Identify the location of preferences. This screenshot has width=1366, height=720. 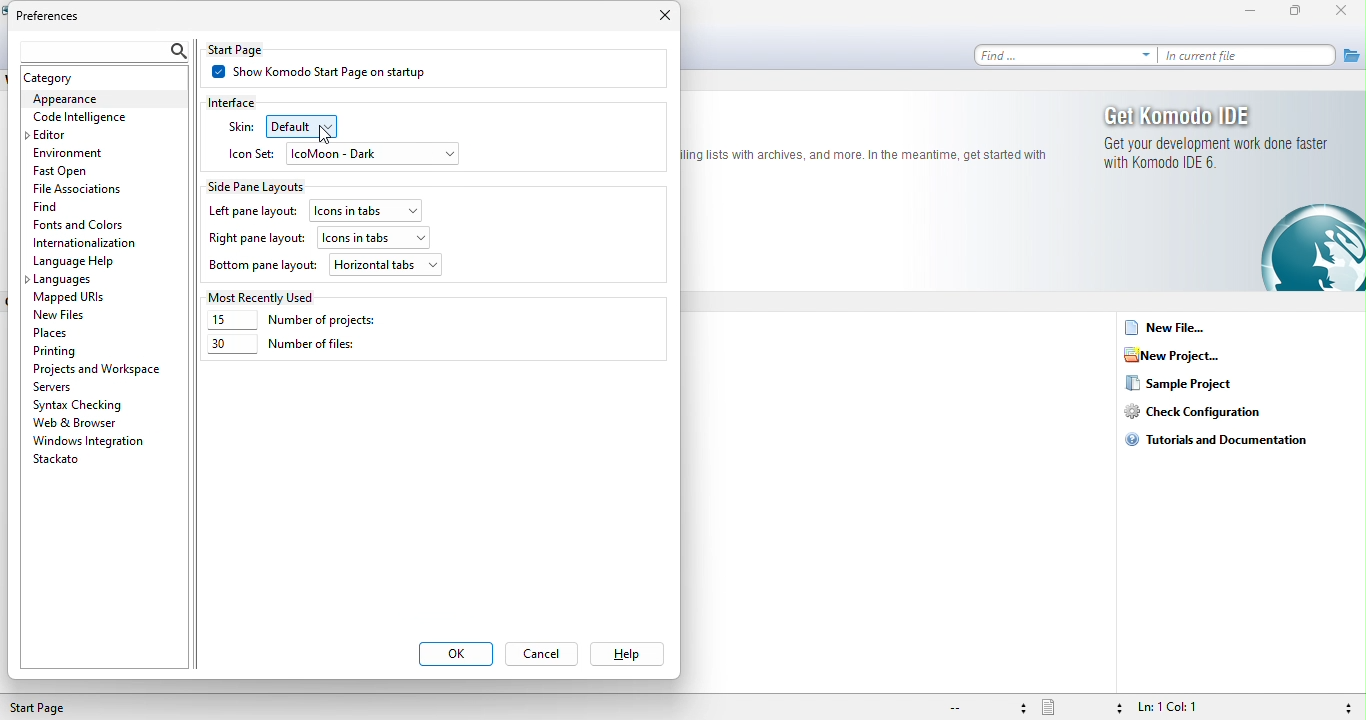
(60, 17).